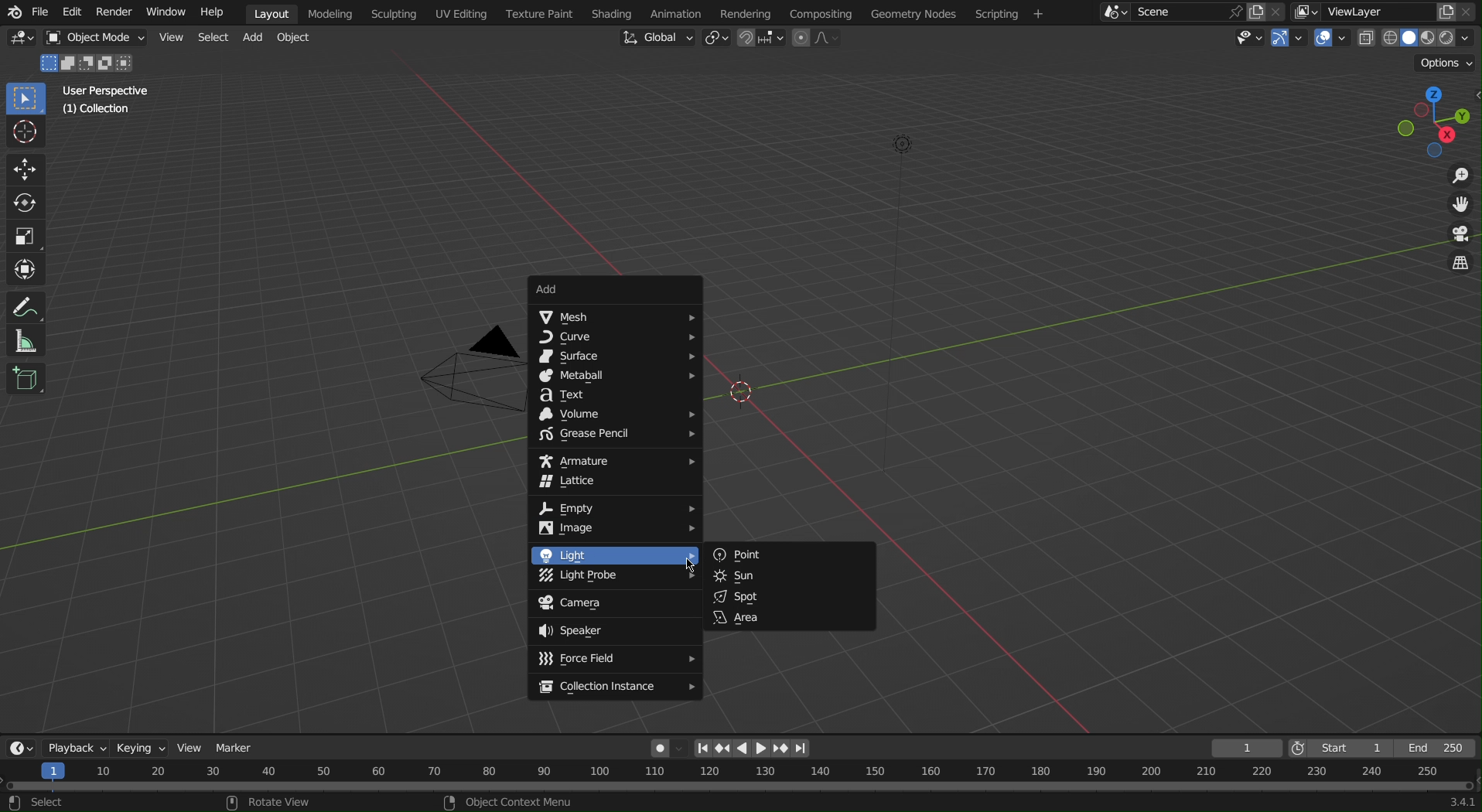 The image size is (1482, 812). What do you see at coordinates (616, 631) in the screenshot?
I see `Speaker` at bounding box center [616, 631].